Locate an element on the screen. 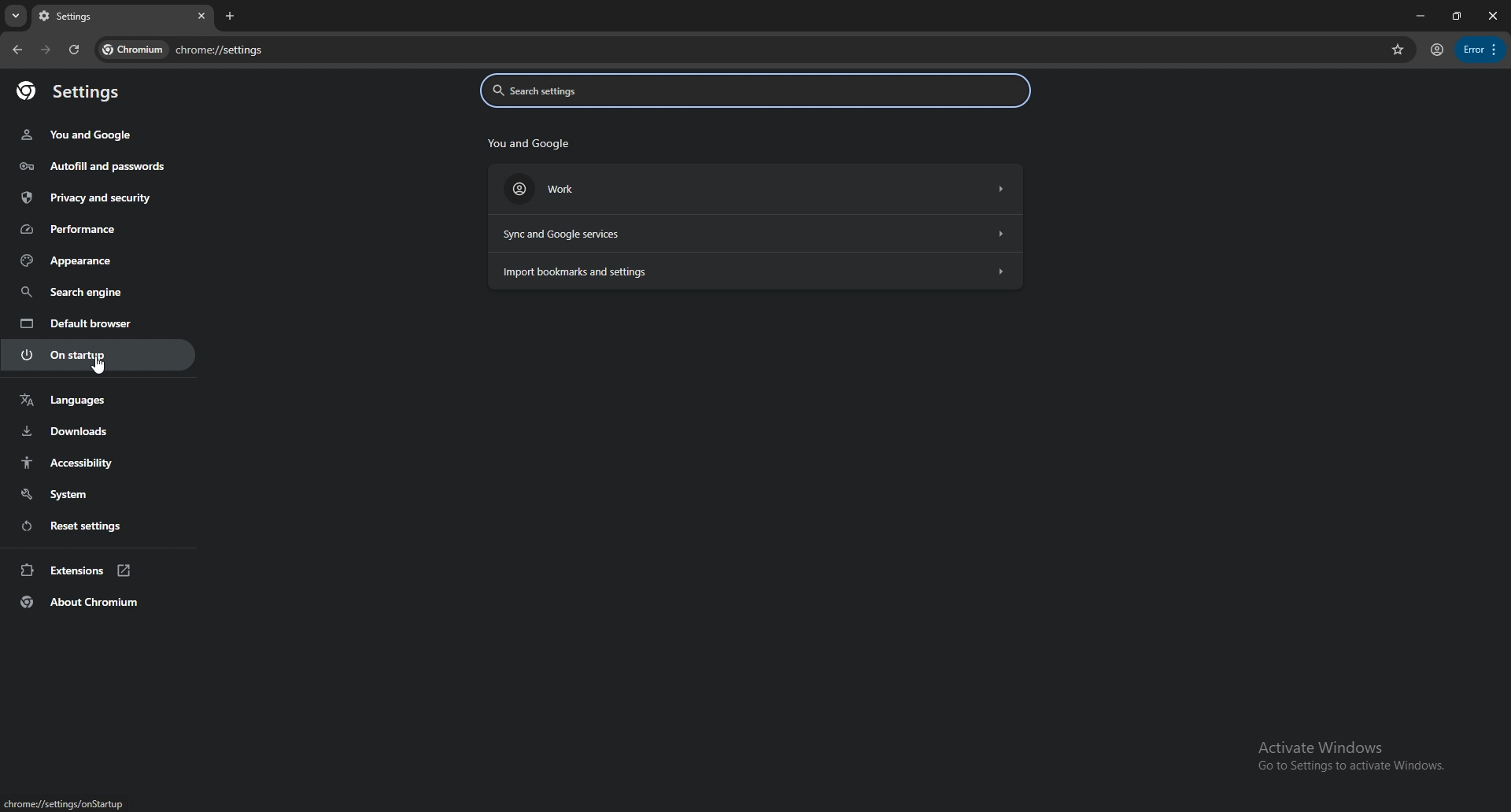 The width and height of the screenshot is (1511, 812). search tabs is located at coordinates (16, 17).